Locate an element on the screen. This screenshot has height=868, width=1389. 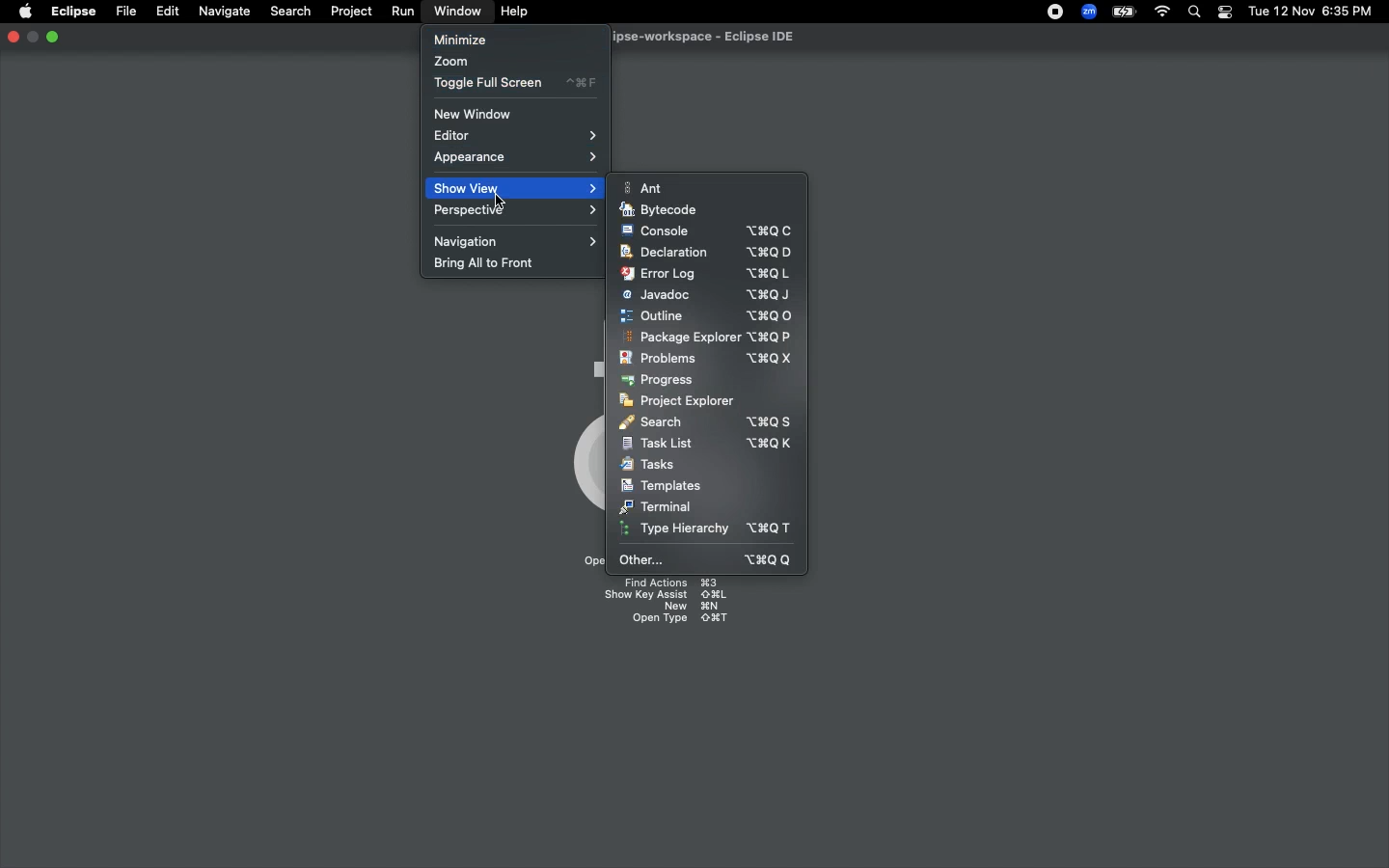
Eclipse IDE is located at coordinates (691, 38).